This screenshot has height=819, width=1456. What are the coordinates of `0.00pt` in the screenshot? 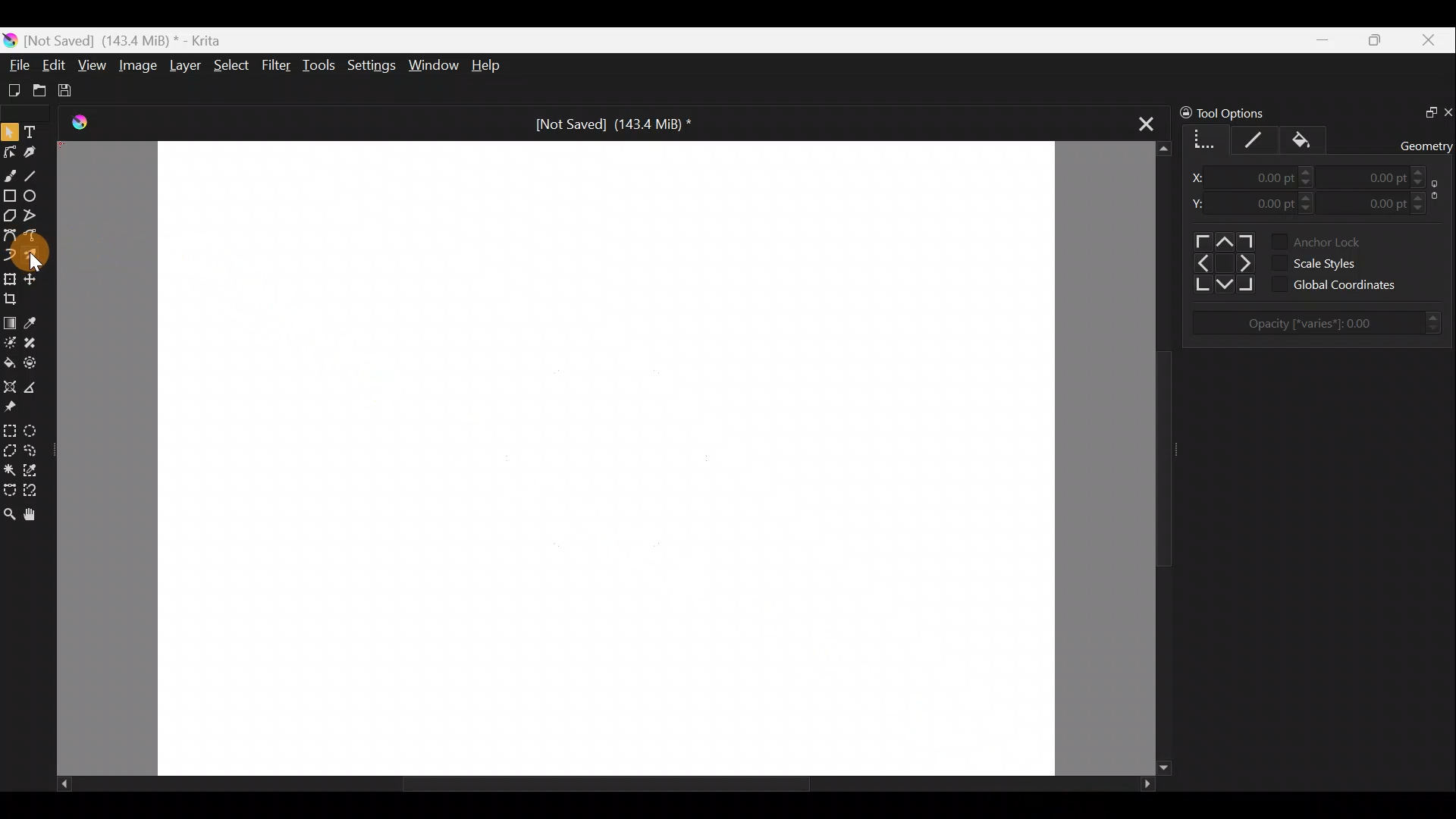 It's located at (1375, 200).